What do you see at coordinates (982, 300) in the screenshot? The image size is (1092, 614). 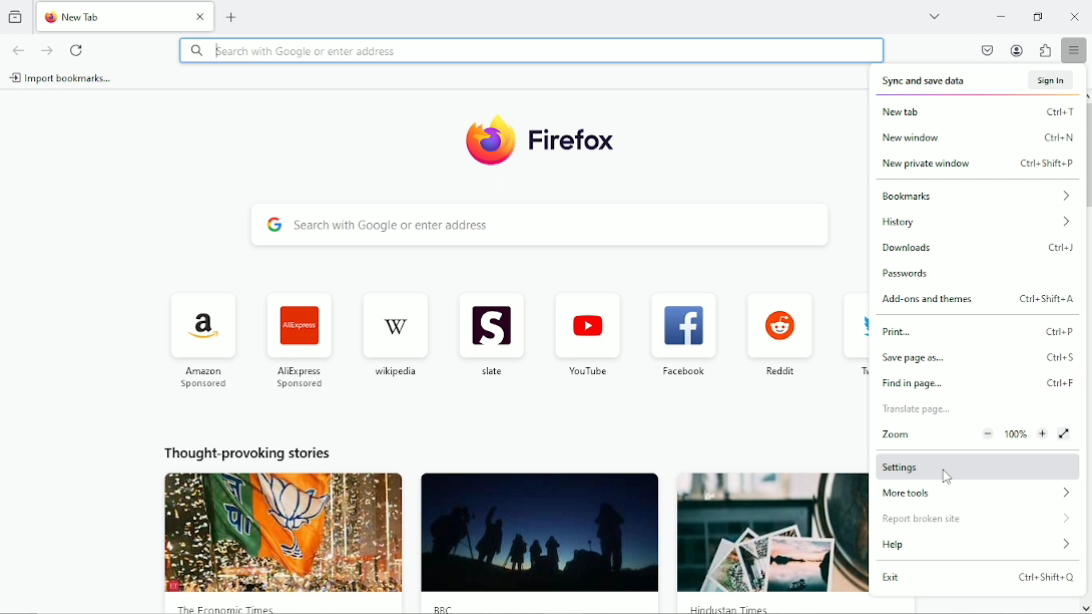 I see `Add ons and themes` at bounding box center [982, 300].